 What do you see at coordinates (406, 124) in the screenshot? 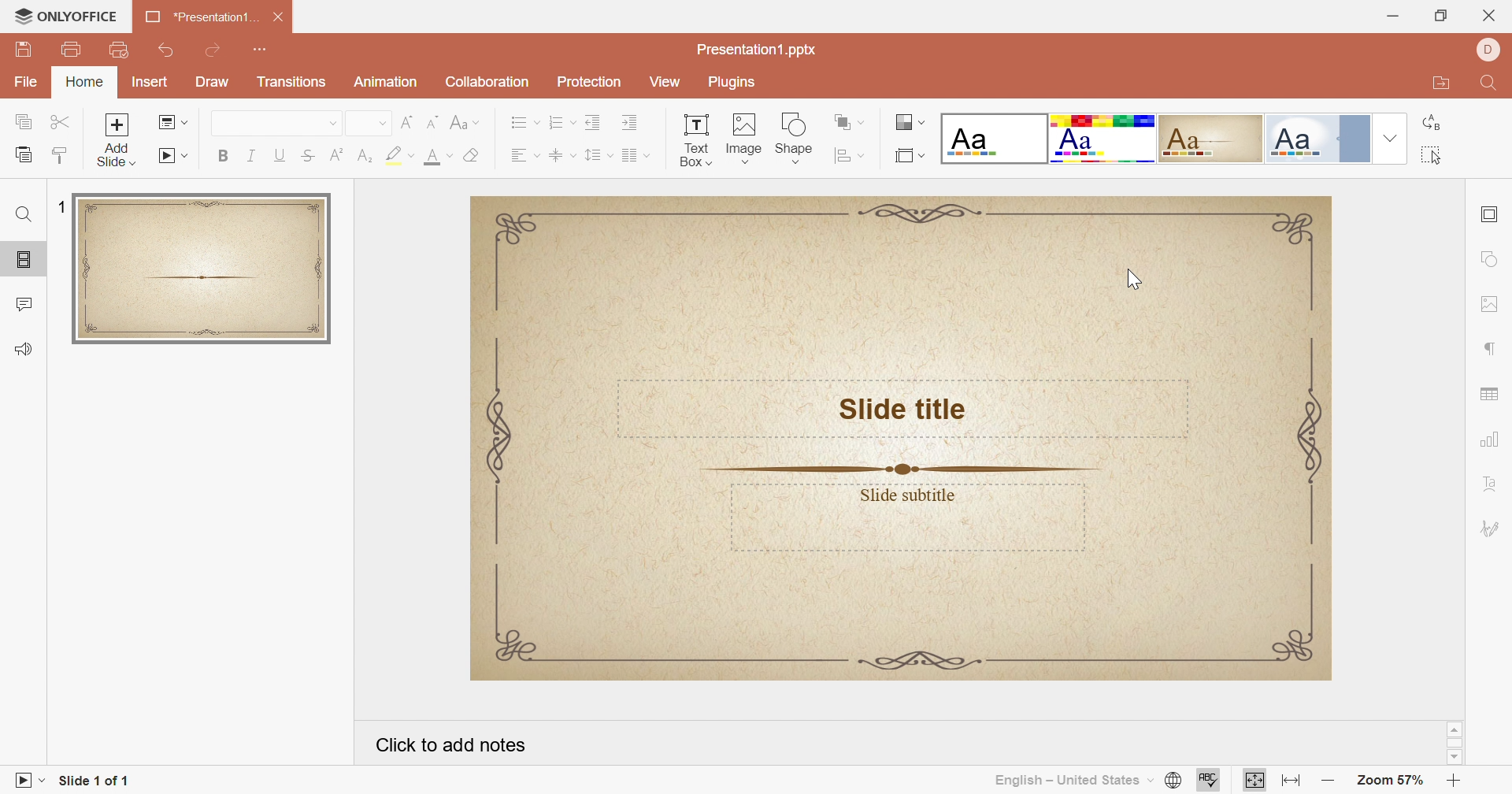
I see `Increment font size` at bounding box center [406, 124].